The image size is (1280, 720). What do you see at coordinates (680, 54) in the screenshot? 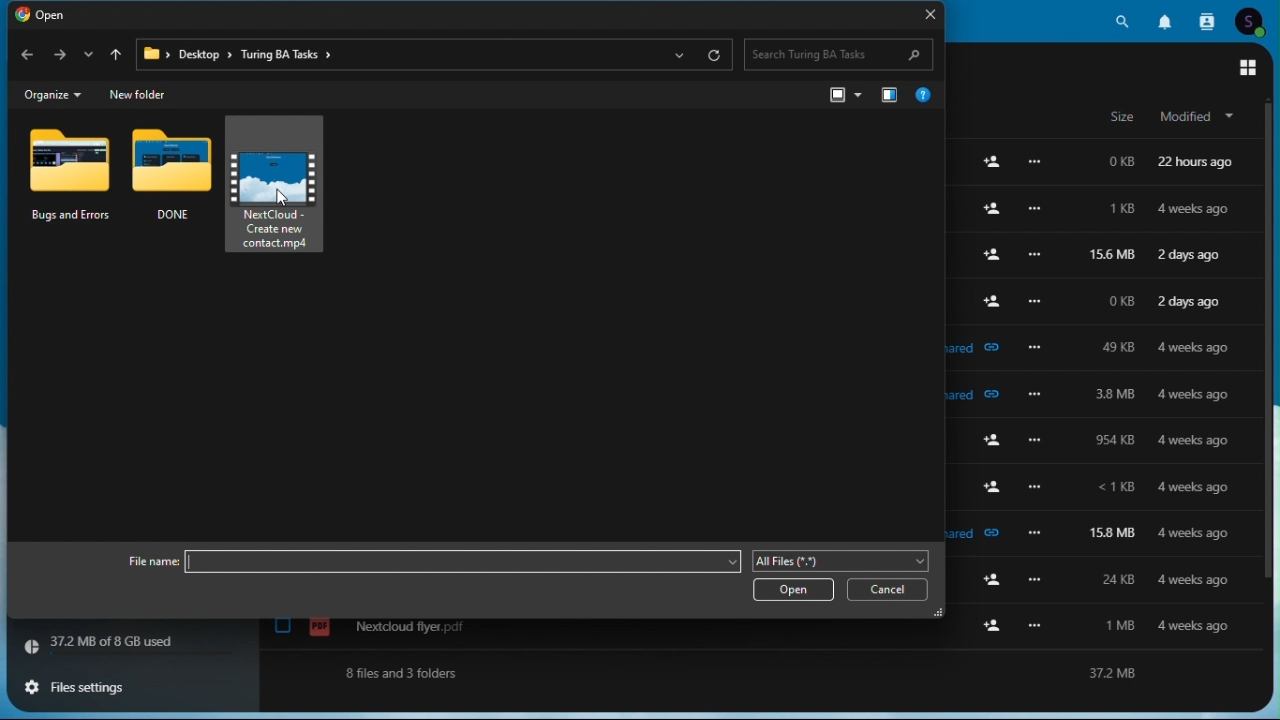
I see `show` at bounding box center [680, 54].